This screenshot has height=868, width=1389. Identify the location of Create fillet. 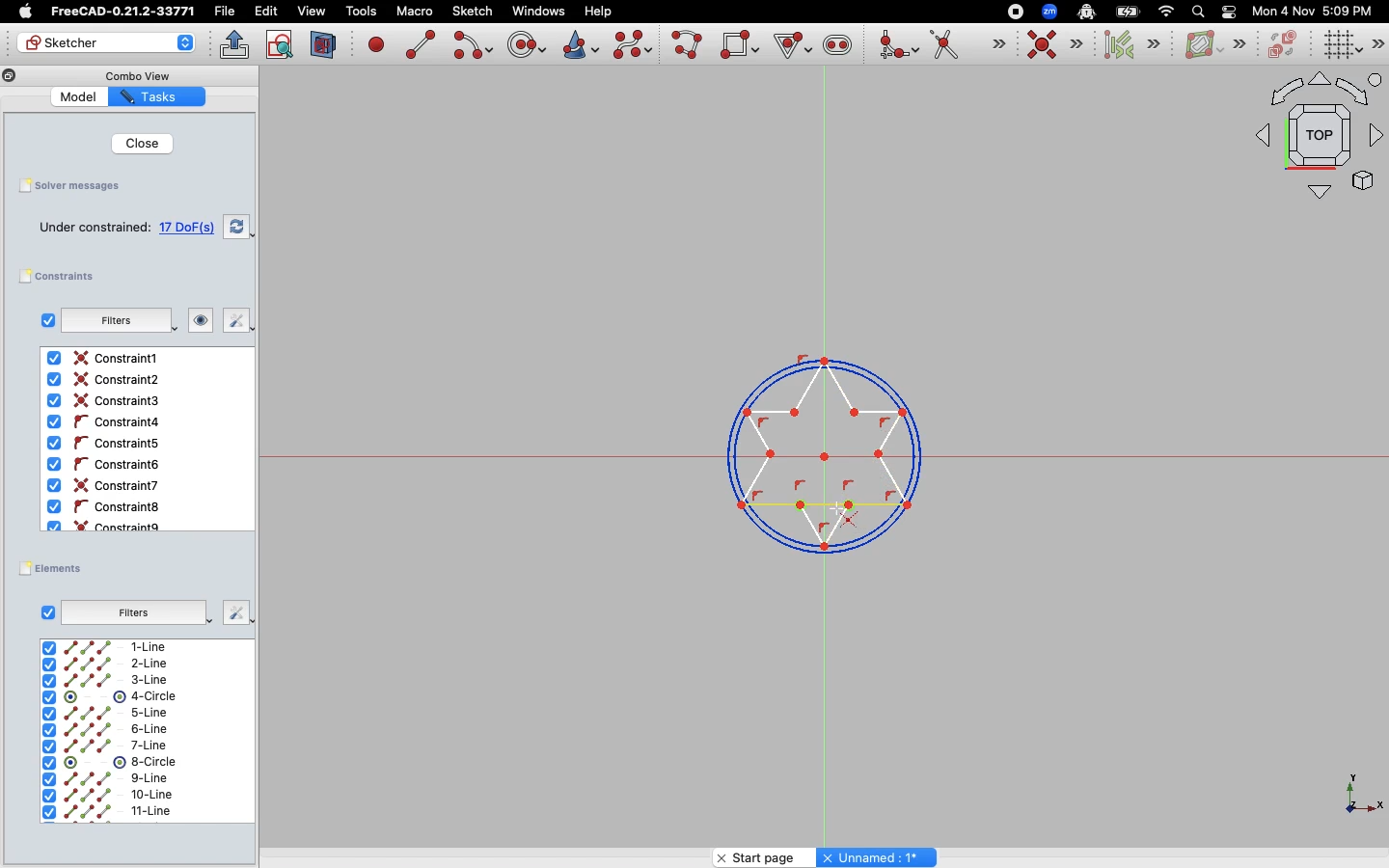
(897, 46).